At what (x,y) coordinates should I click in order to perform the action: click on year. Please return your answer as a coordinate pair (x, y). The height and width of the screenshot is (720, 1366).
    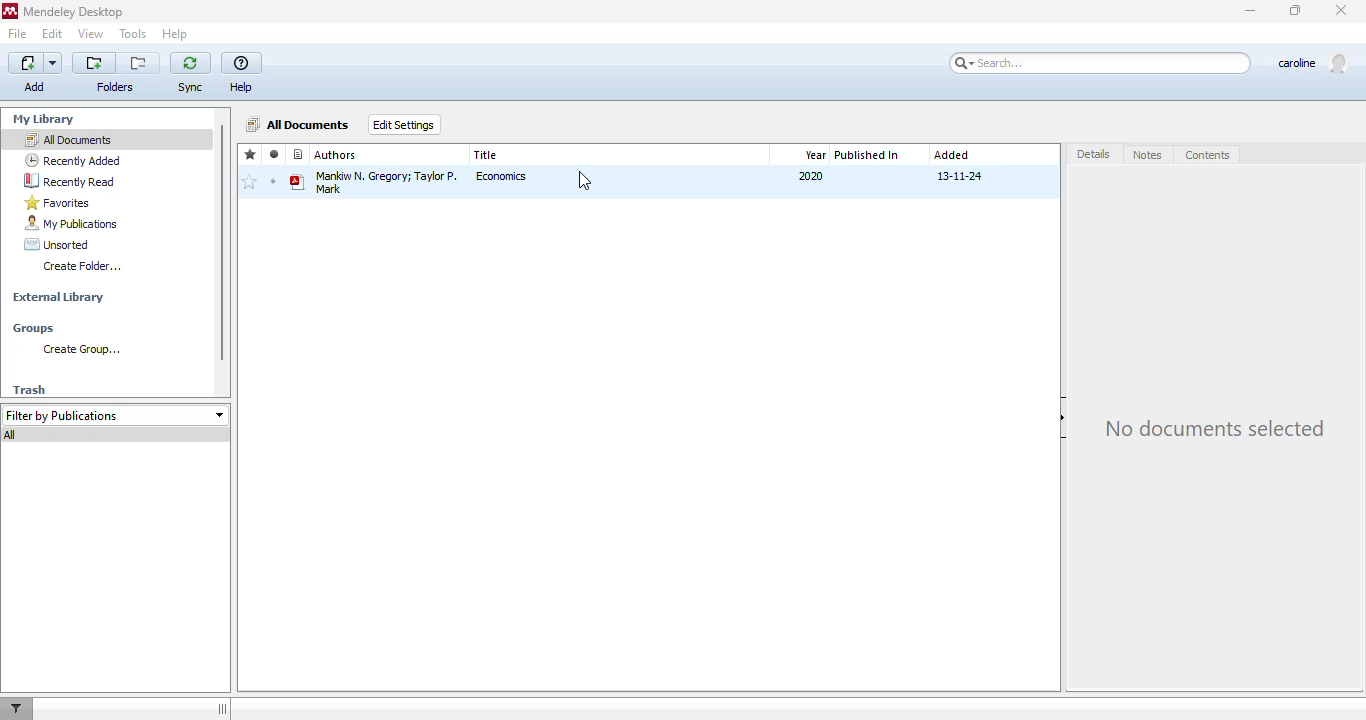
    Looking at the image, I should click on (814, 154).